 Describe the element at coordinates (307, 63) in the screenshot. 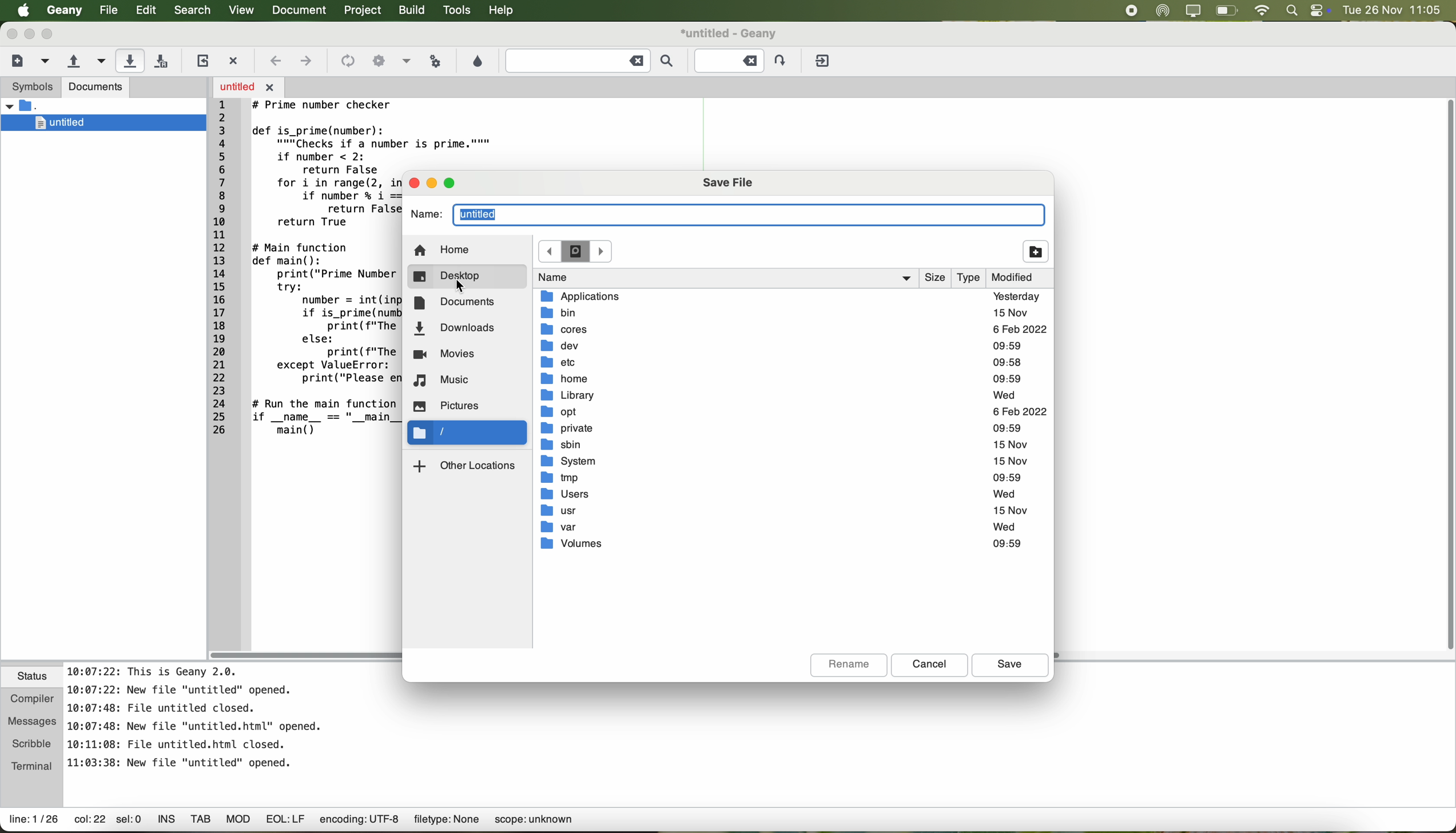

I see `navigate foward` at that location.